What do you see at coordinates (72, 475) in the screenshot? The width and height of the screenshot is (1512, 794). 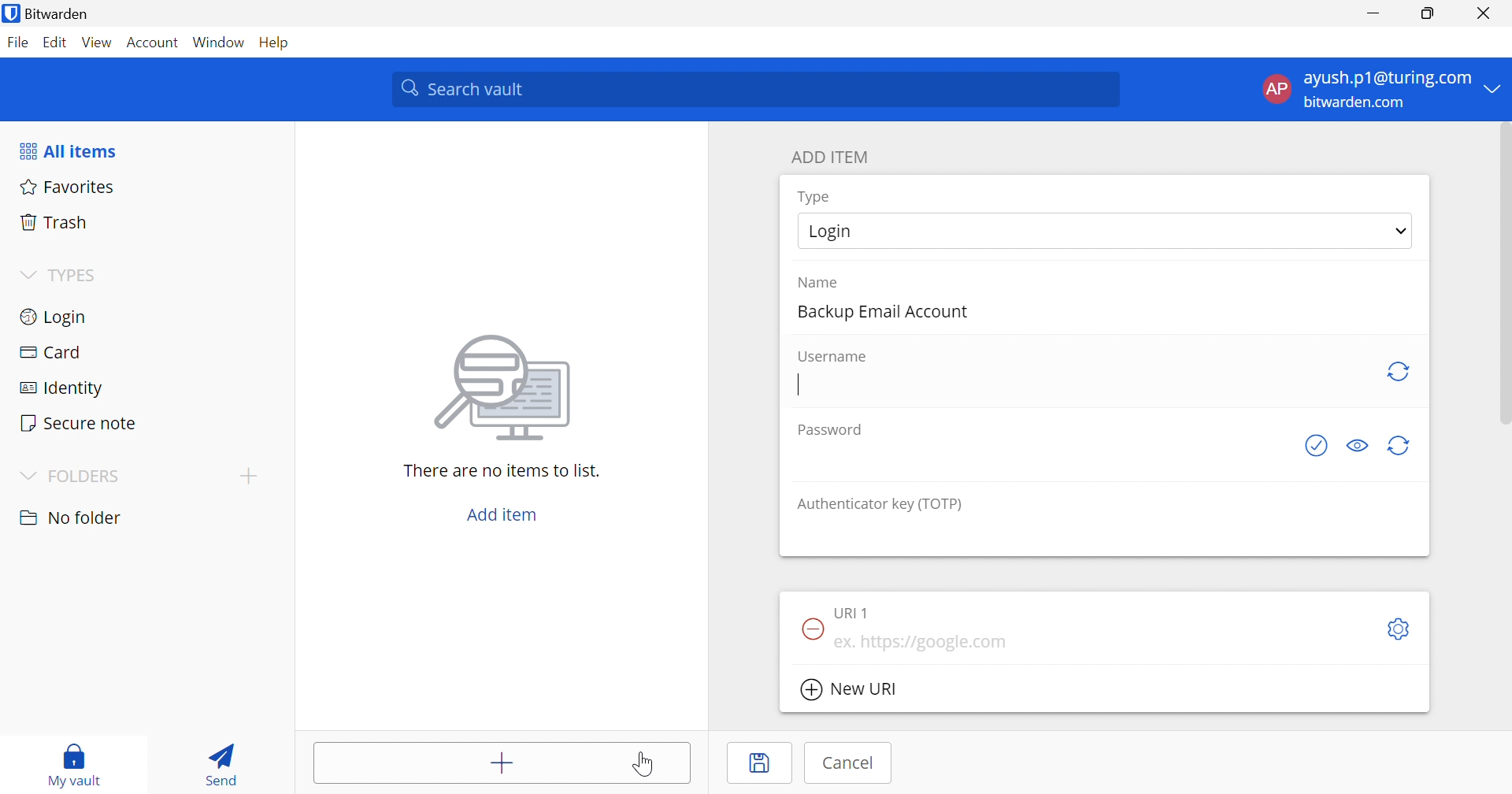 I see `FOLDERS` at bounding box center [72, 475].